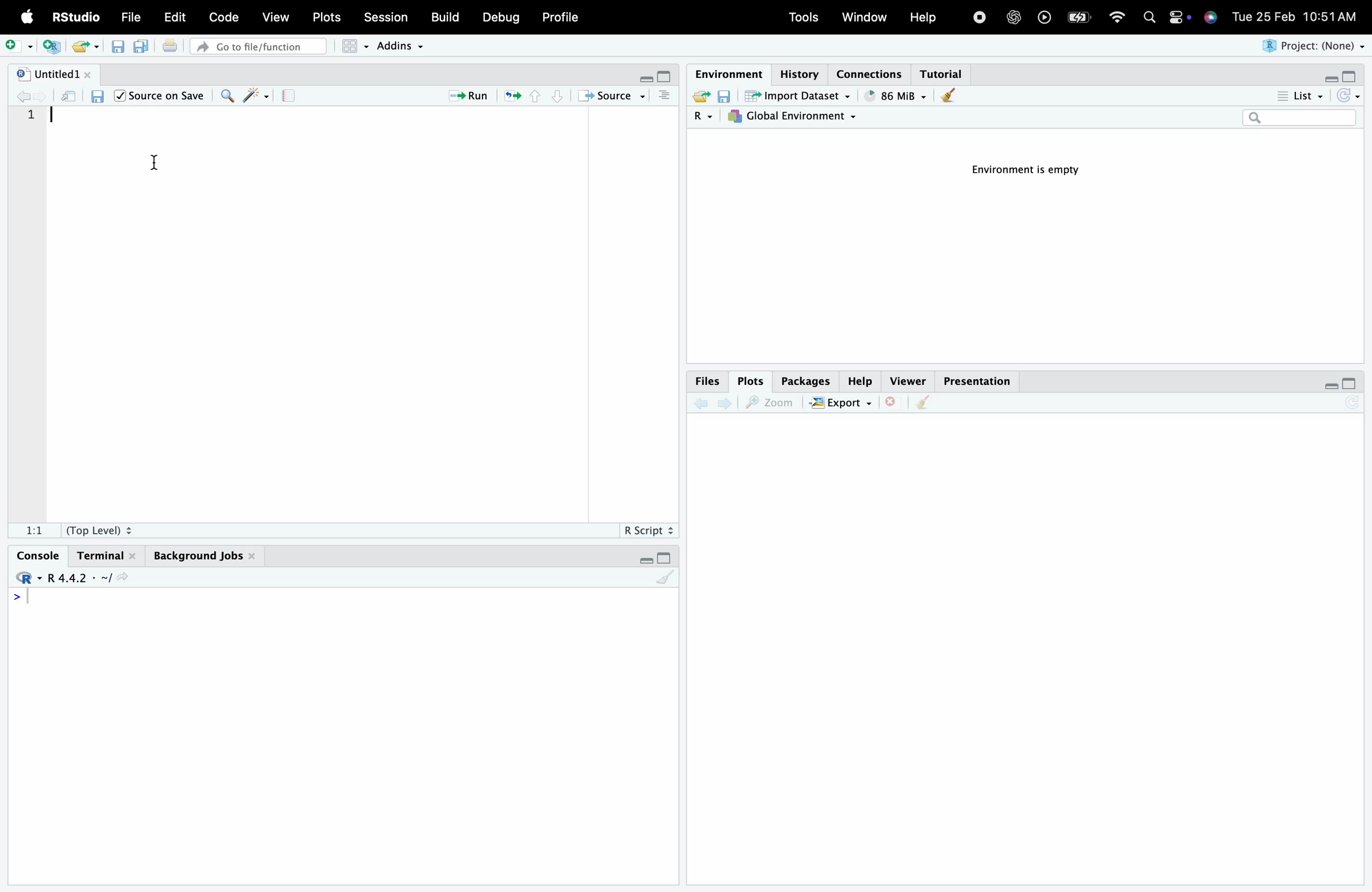 The width and height of the screenshot is (1372, 892). What do you see at coordinates (390, 17) in the screenshot?
I see `Session` at bounding box center [390, 17].